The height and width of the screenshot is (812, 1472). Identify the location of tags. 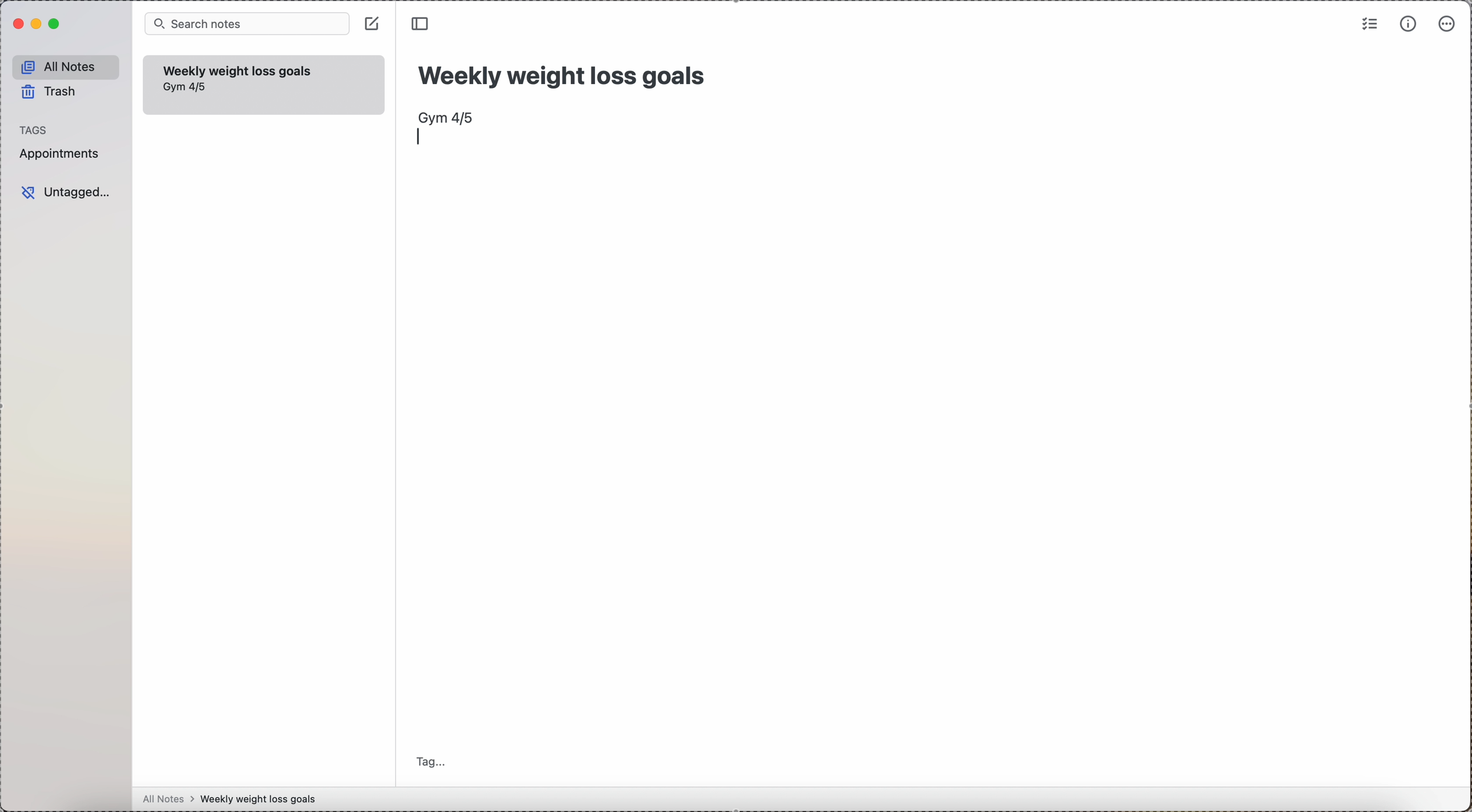
(35, 130).